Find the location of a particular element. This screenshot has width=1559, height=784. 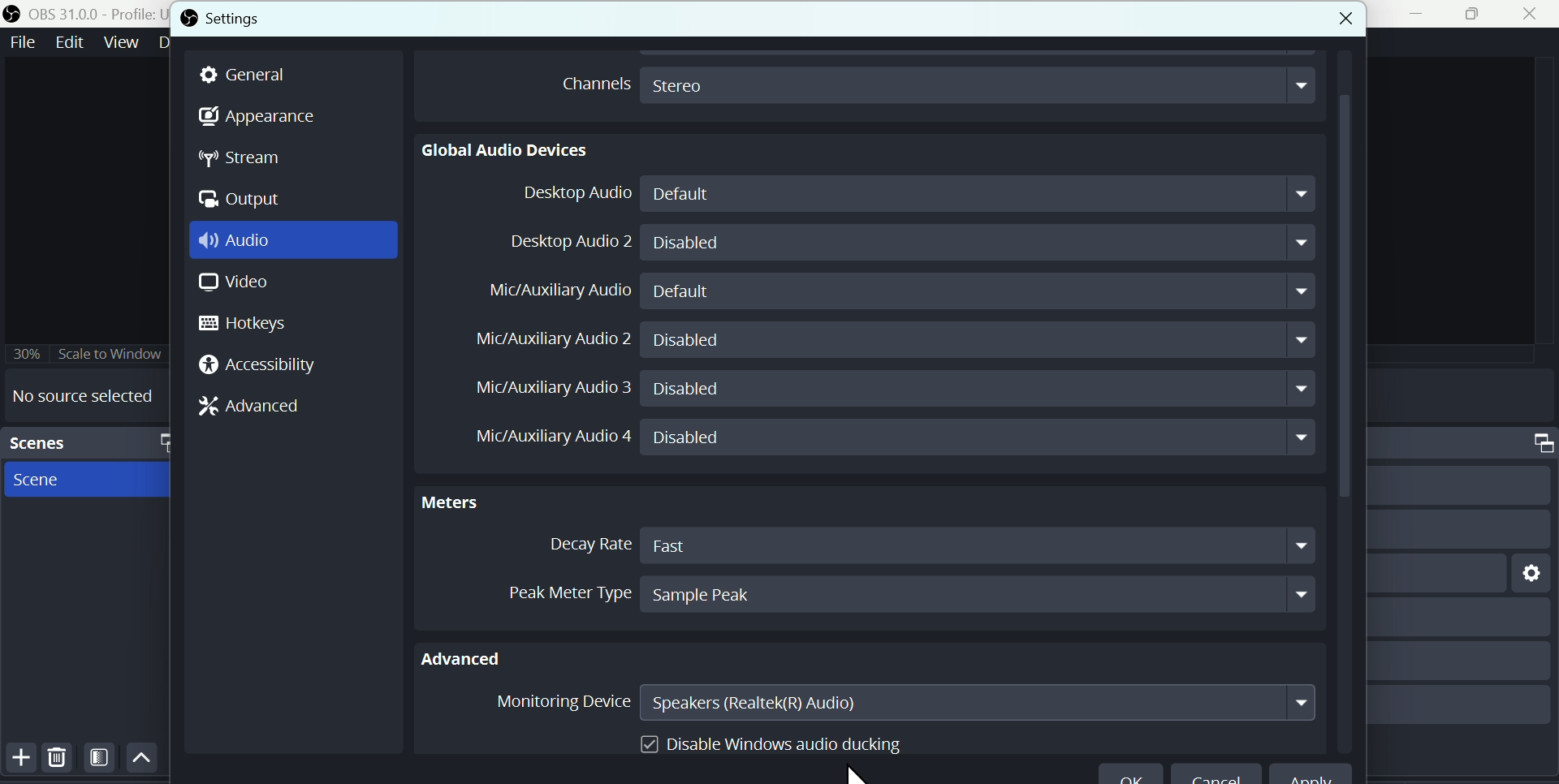

Settings is located at coordinates (261, 18).